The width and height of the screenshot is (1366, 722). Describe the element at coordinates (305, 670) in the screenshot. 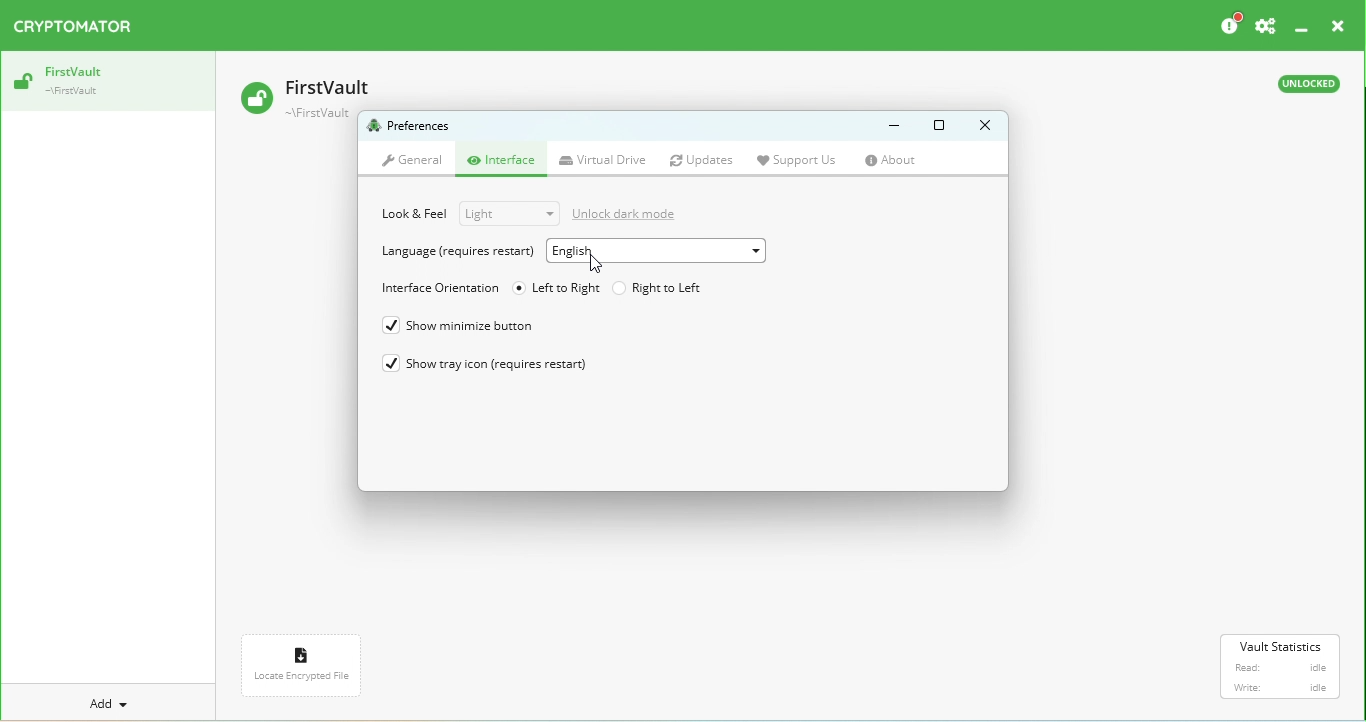

I see `Locate encrypted file` at that location.